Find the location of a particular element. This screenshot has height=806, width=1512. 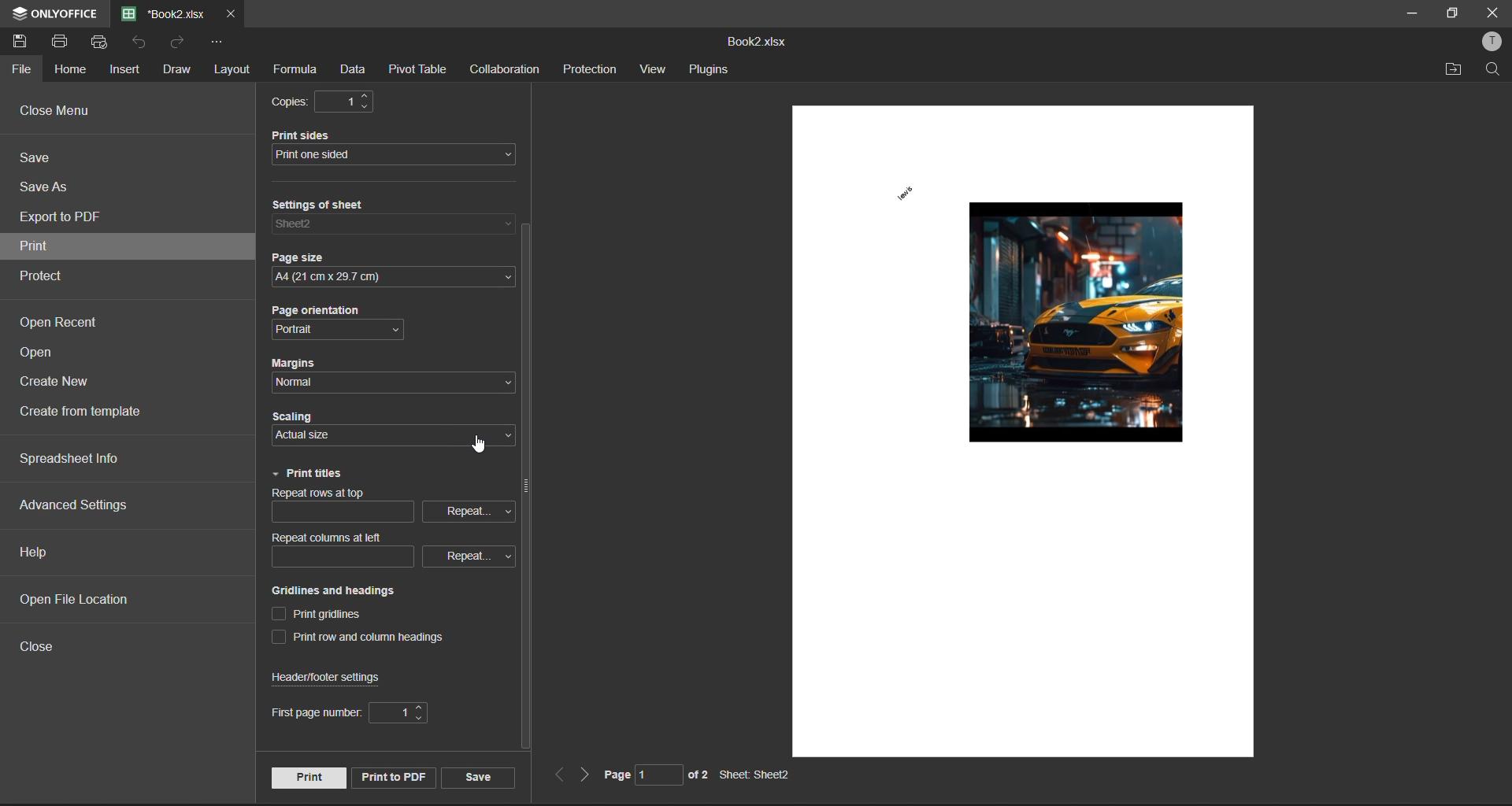

vertical scroll bar is located at coordinates (526, 489).